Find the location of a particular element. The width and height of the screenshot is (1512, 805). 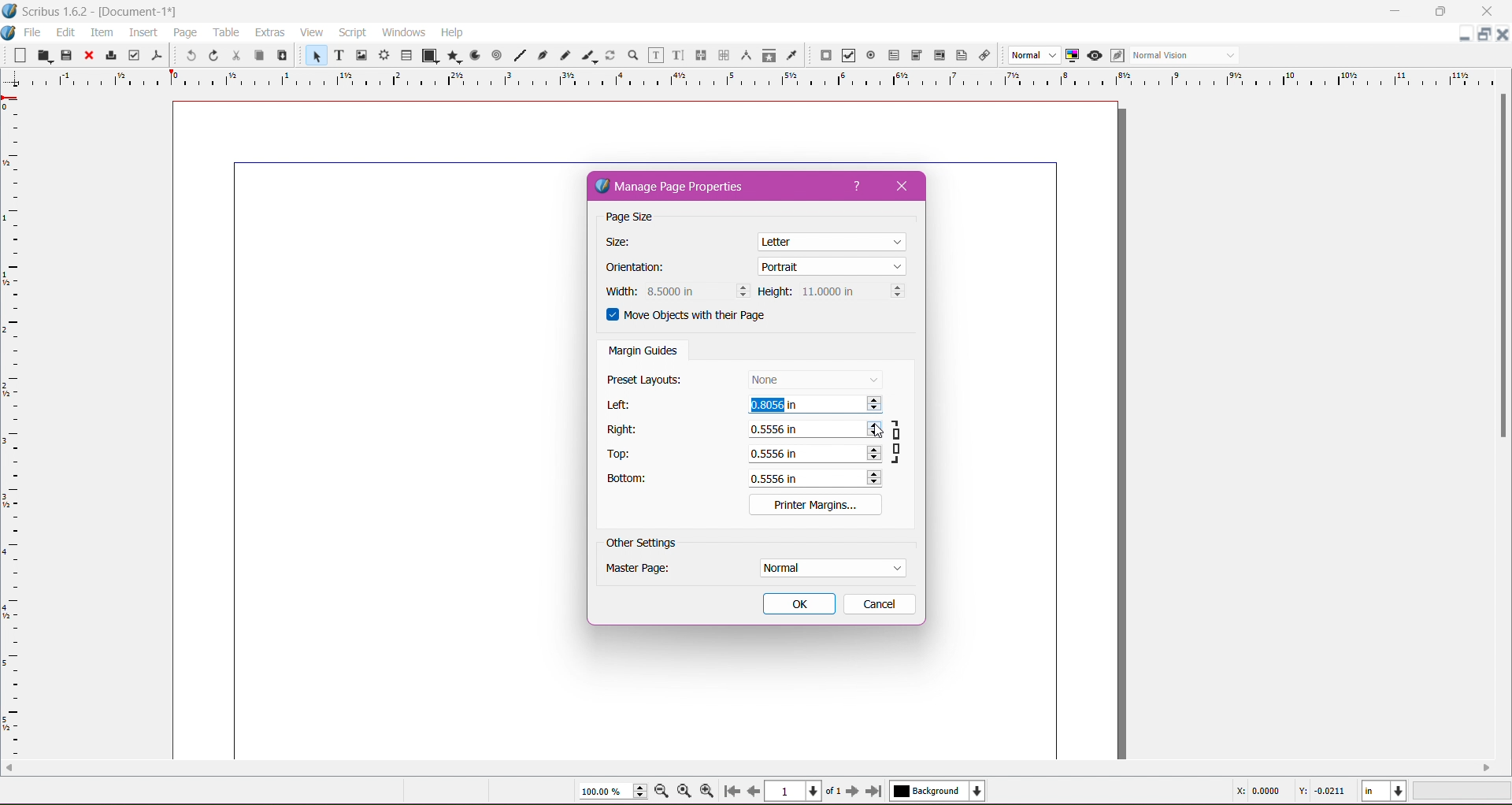

Help is located at coordinates (453, 32).